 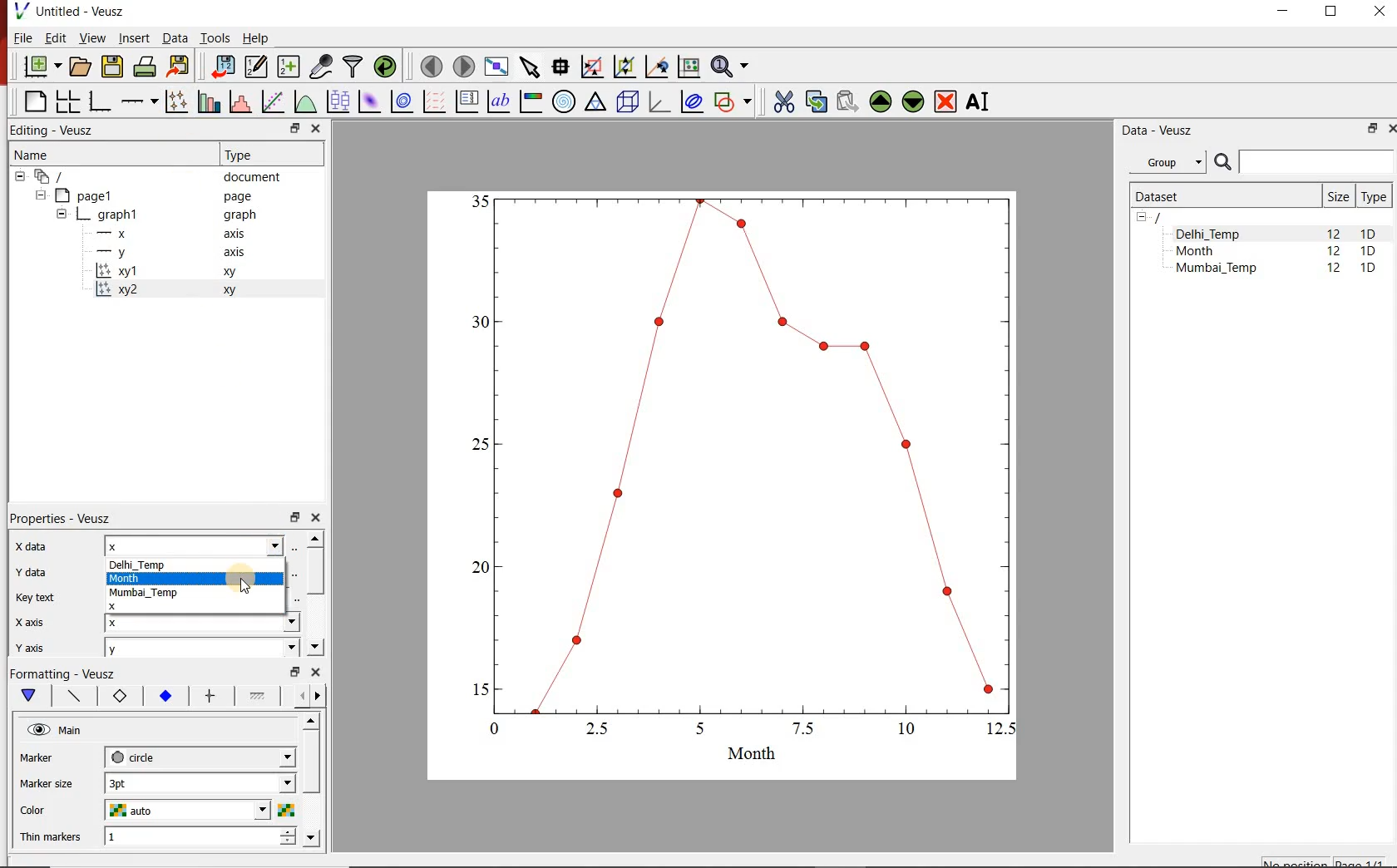 I want to click on Insert, so click(x=133, y=37).